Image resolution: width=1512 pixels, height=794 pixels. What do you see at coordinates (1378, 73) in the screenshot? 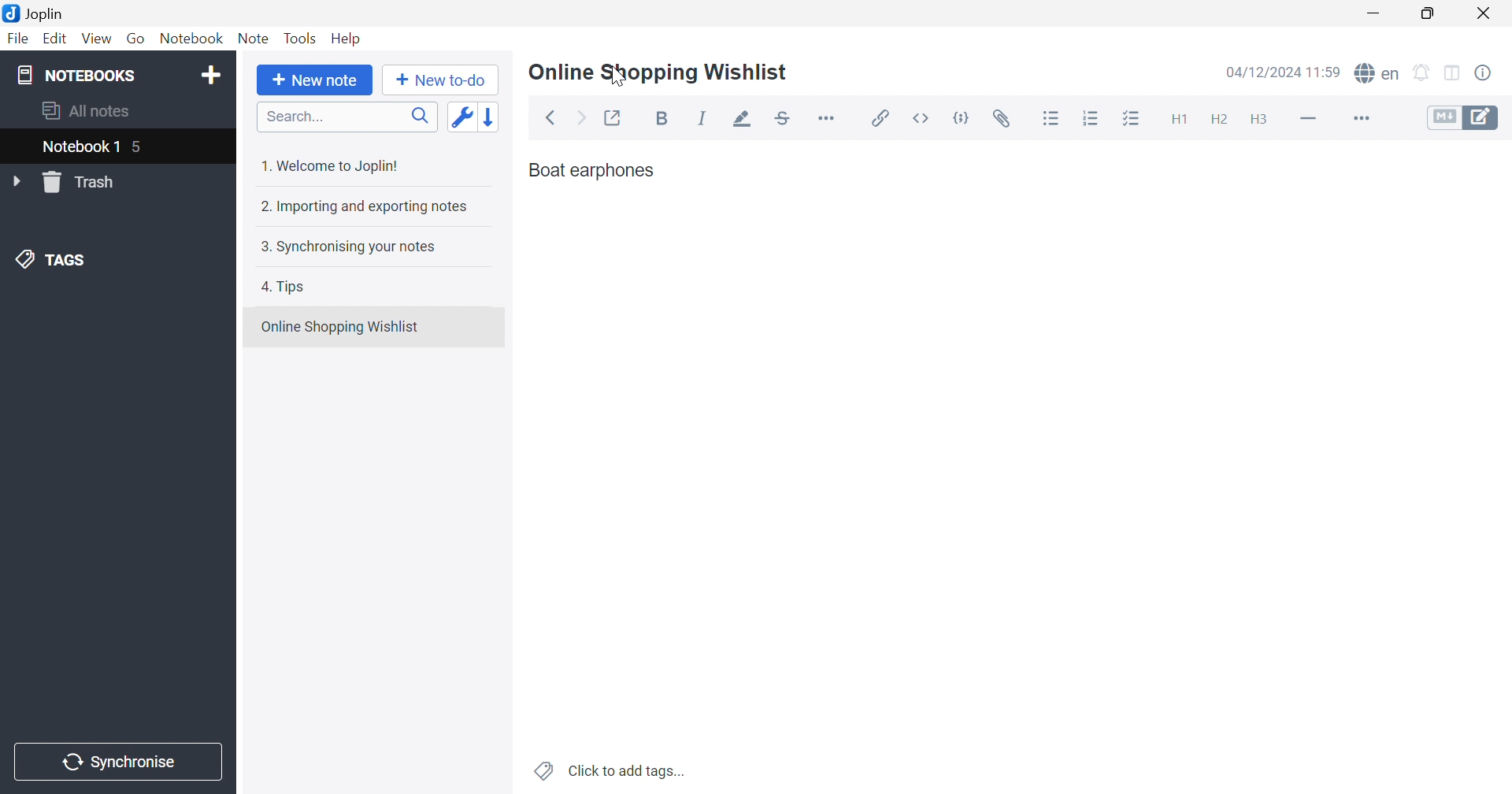
I see `Spell checker` at bounding box center [1378, 73].